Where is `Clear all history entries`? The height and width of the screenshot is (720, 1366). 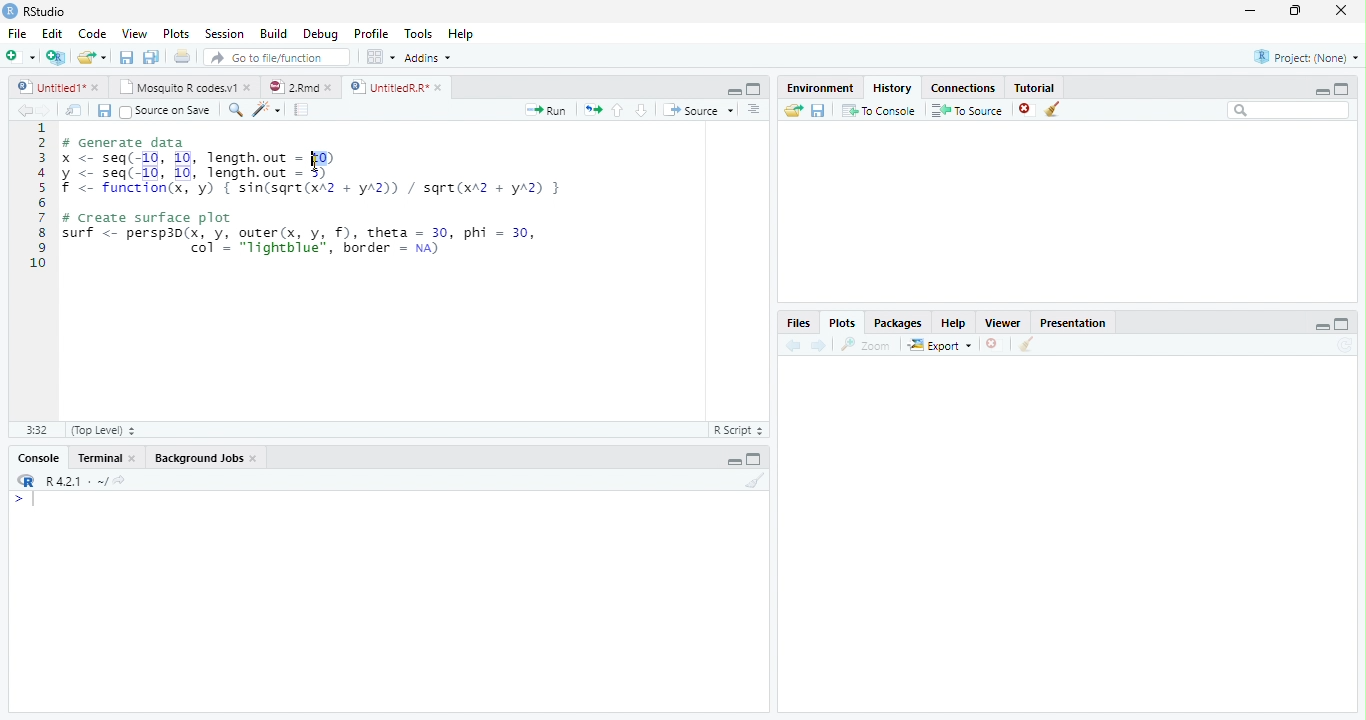 Clear all history entries is located at coordinates (1052, 109).